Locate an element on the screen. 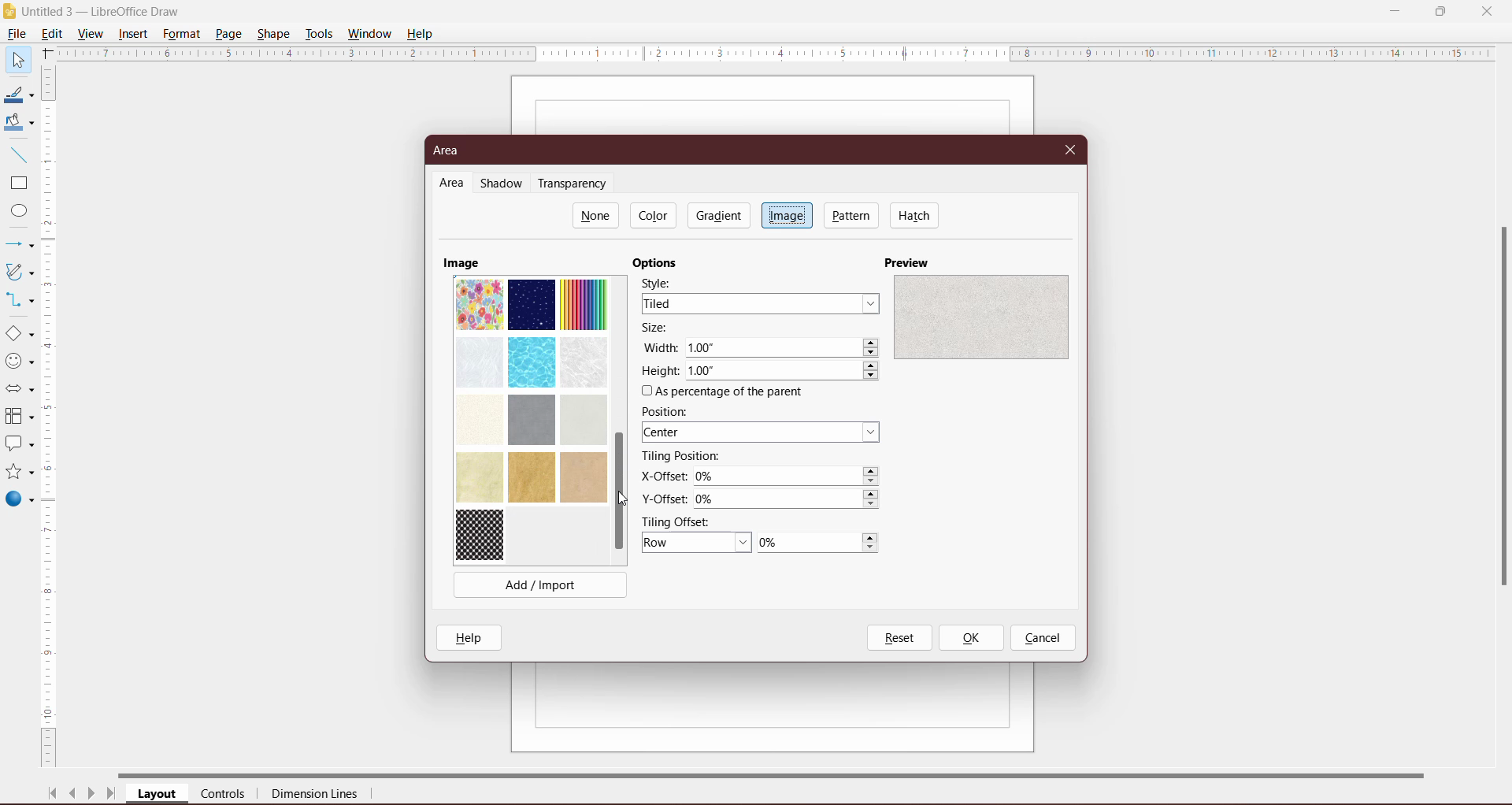 The image size is (1512, 805). Window is located at coordinates (369, 34).